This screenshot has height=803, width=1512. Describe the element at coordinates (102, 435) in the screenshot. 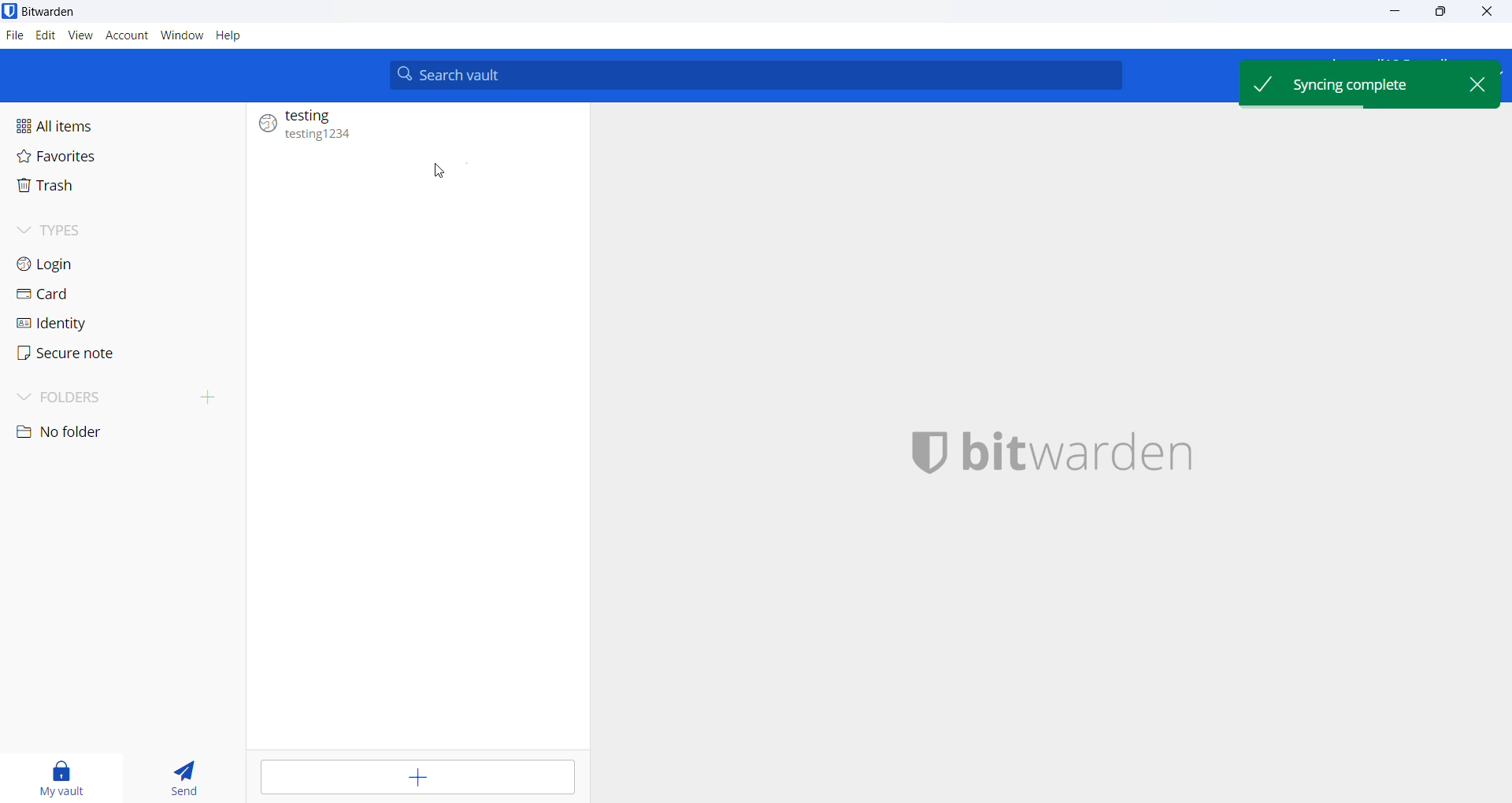

I see `no folders` at that location.